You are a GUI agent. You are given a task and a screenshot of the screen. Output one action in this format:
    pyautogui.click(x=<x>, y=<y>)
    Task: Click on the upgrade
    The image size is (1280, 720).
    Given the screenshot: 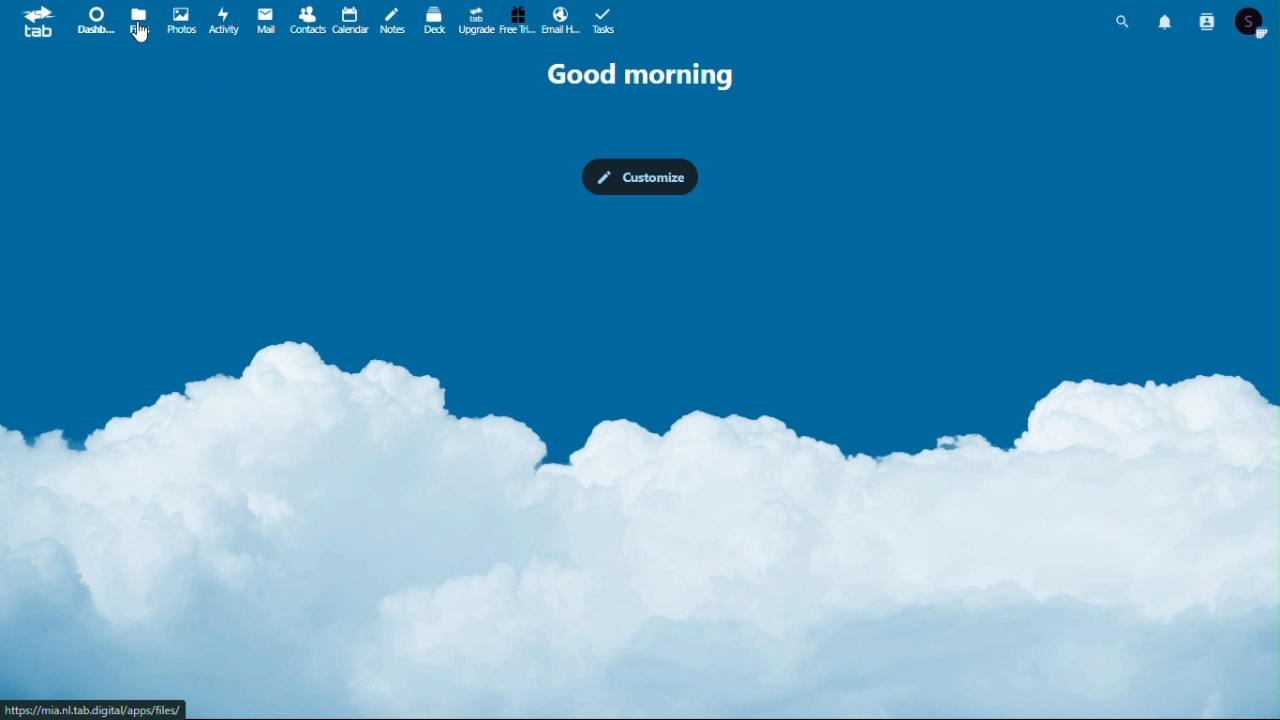 What is the action you would take?
    pyautogui.click(x=472, y=21)
    